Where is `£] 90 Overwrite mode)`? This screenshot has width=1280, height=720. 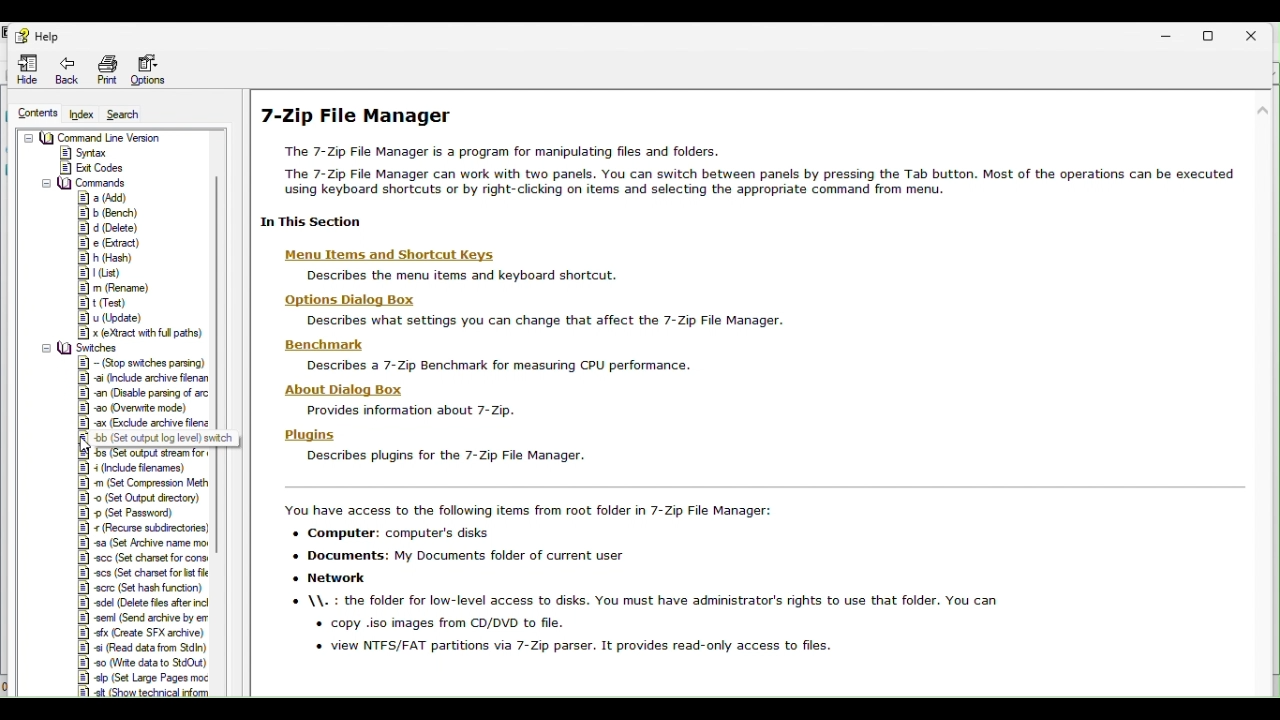 £] 90 Overwrite mode) is located at coordinates (134, 409).